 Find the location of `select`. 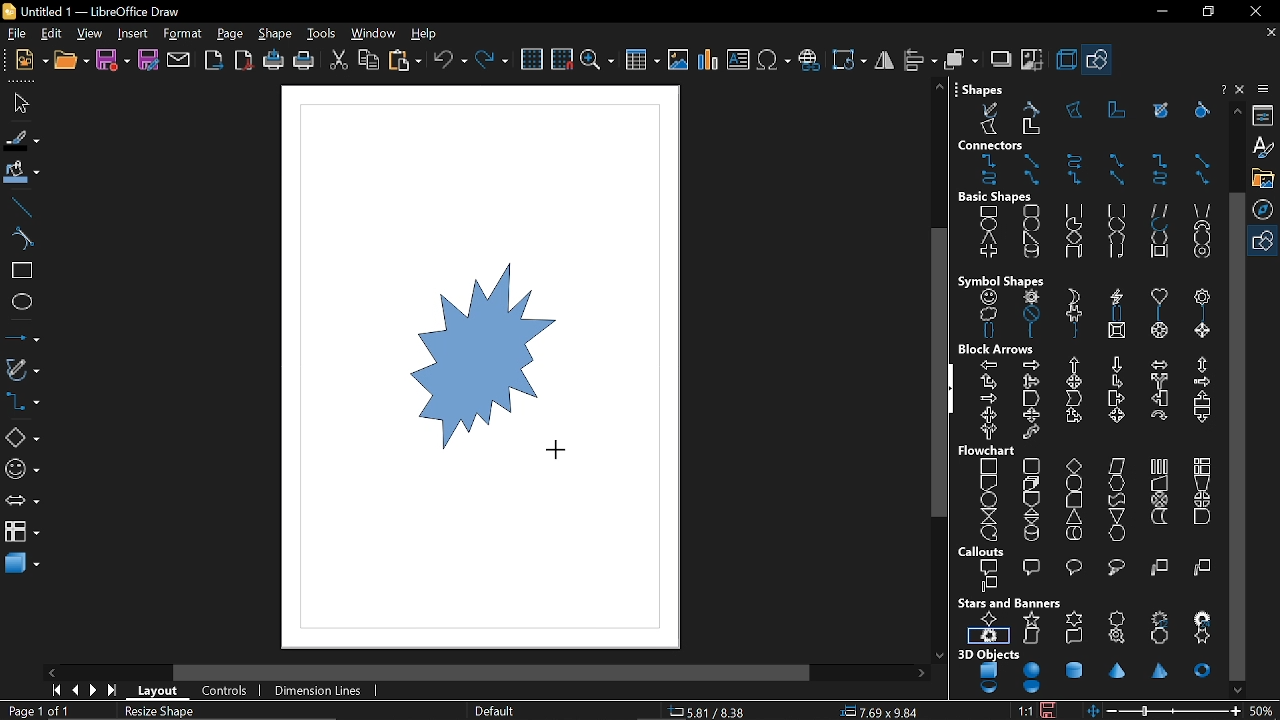

select is located at coordinates (18, 103).